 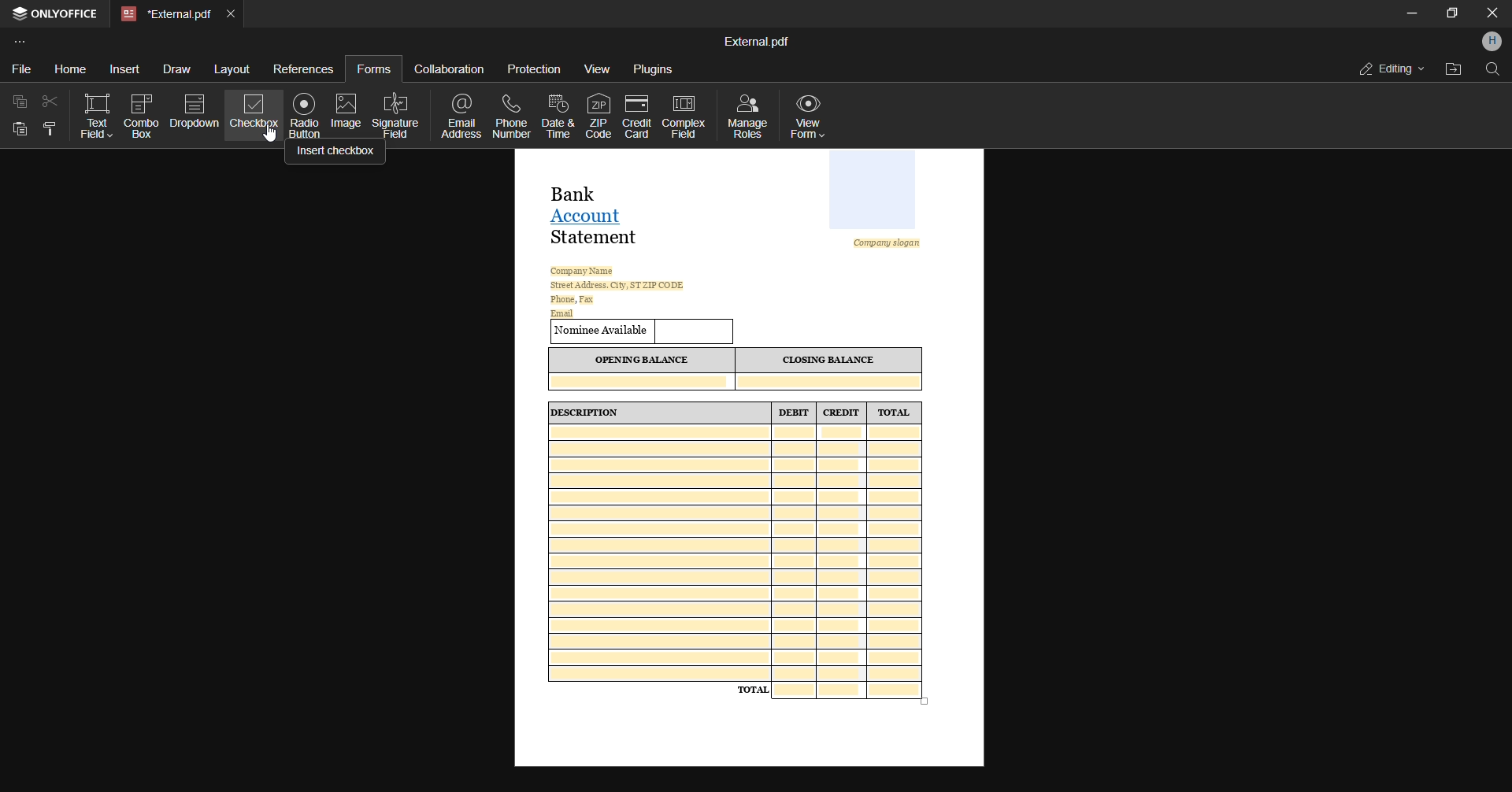 I want to click on view form, so click(x=814, y=116).